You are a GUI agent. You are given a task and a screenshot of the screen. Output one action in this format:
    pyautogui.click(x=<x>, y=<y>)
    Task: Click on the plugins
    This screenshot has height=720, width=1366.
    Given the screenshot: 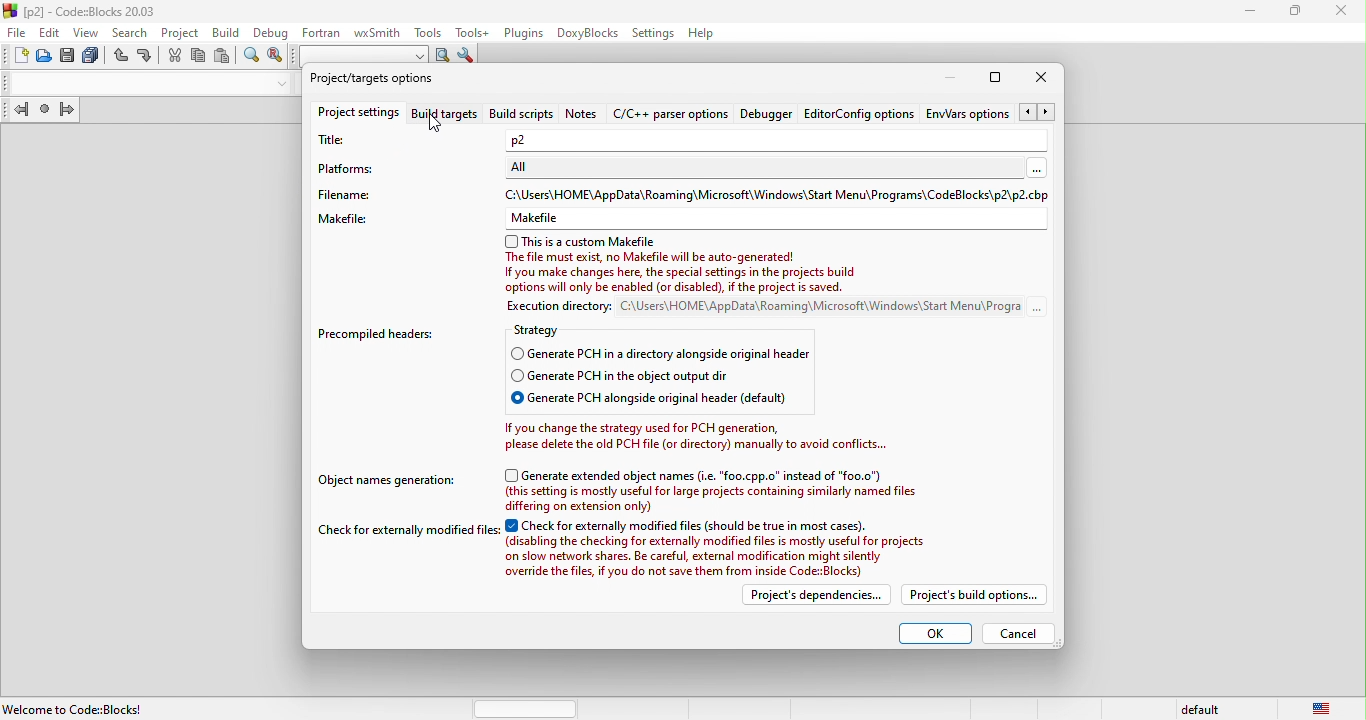 What is the action you would take?
    pyautogui.click(x=521, y=33)
    